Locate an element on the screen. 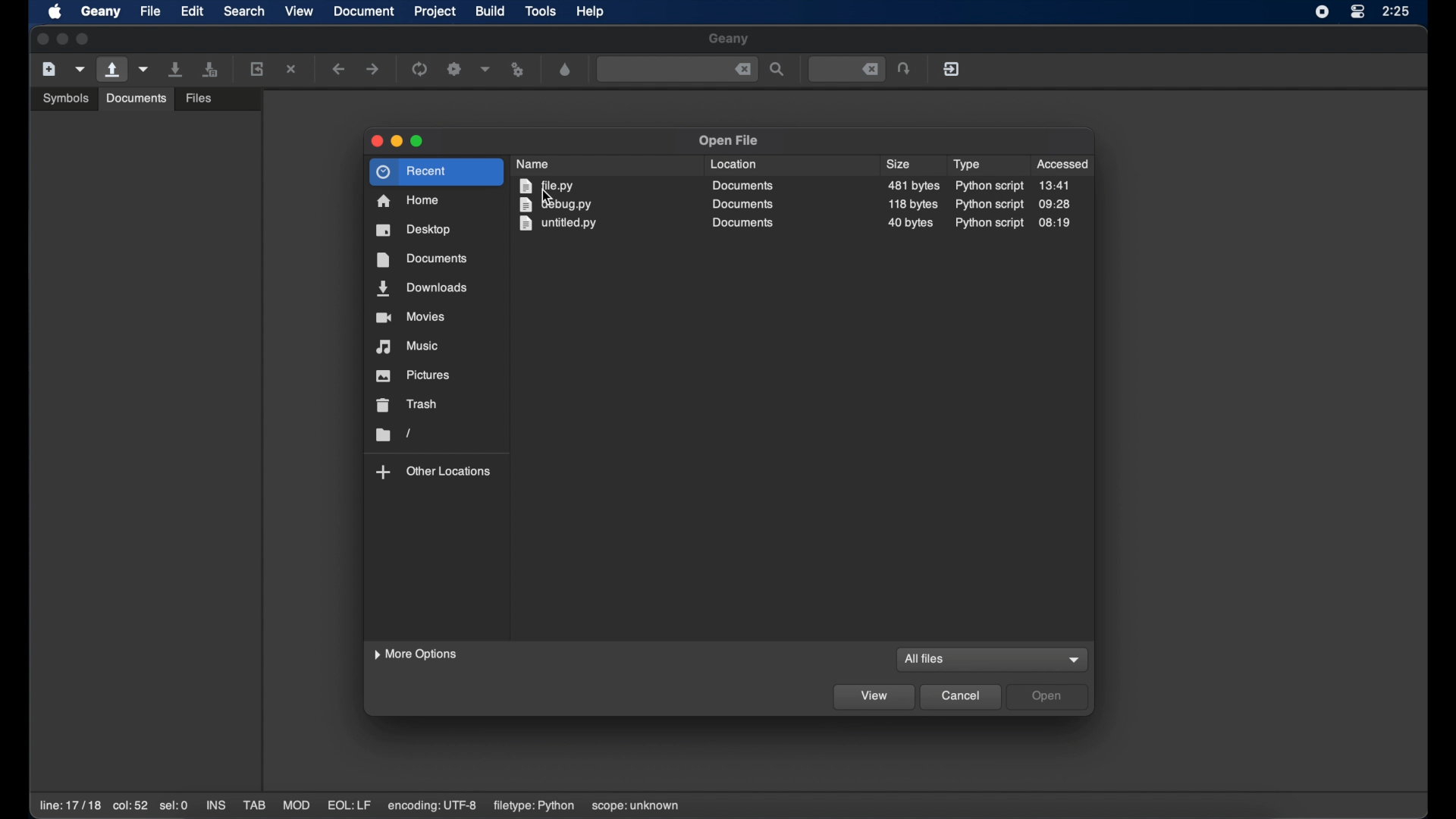 This screenshot has height=819, width=1456. color looser dialog is located at coordinates (566, 68).